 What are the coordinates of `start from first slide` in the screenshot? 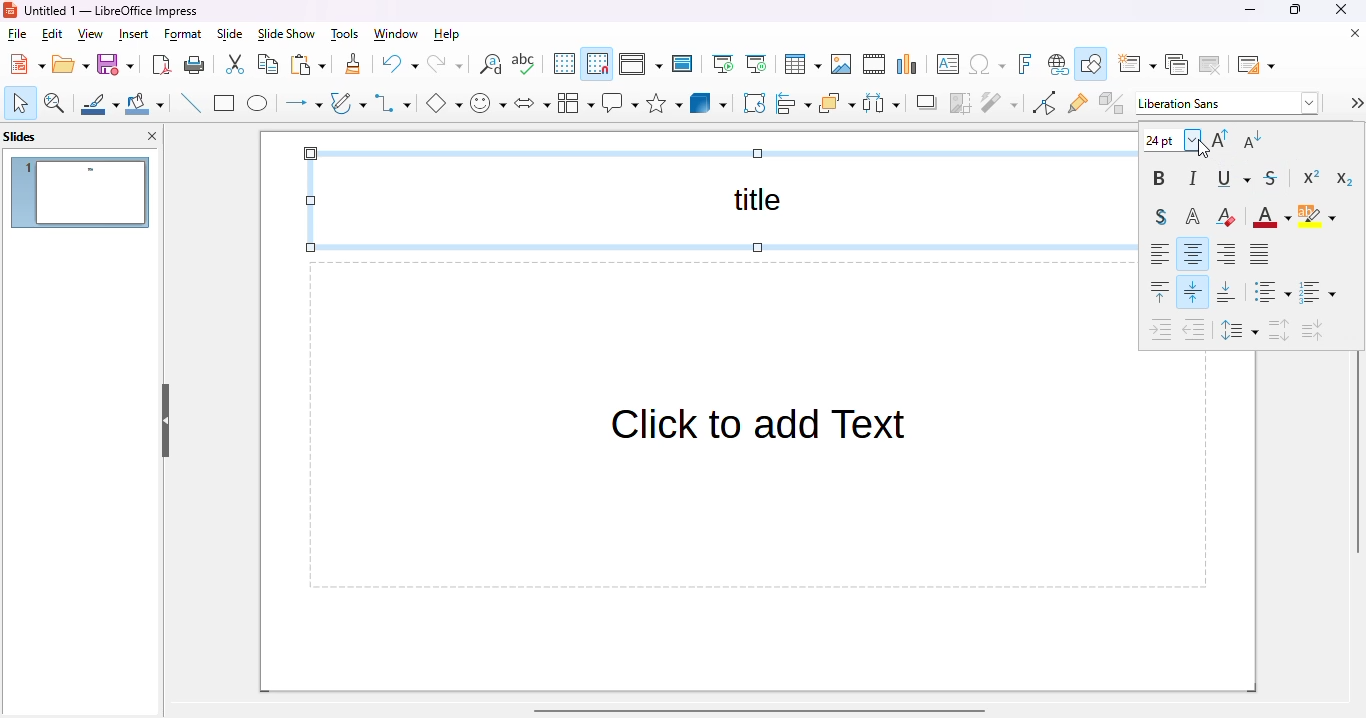 It's located at (725, 64).